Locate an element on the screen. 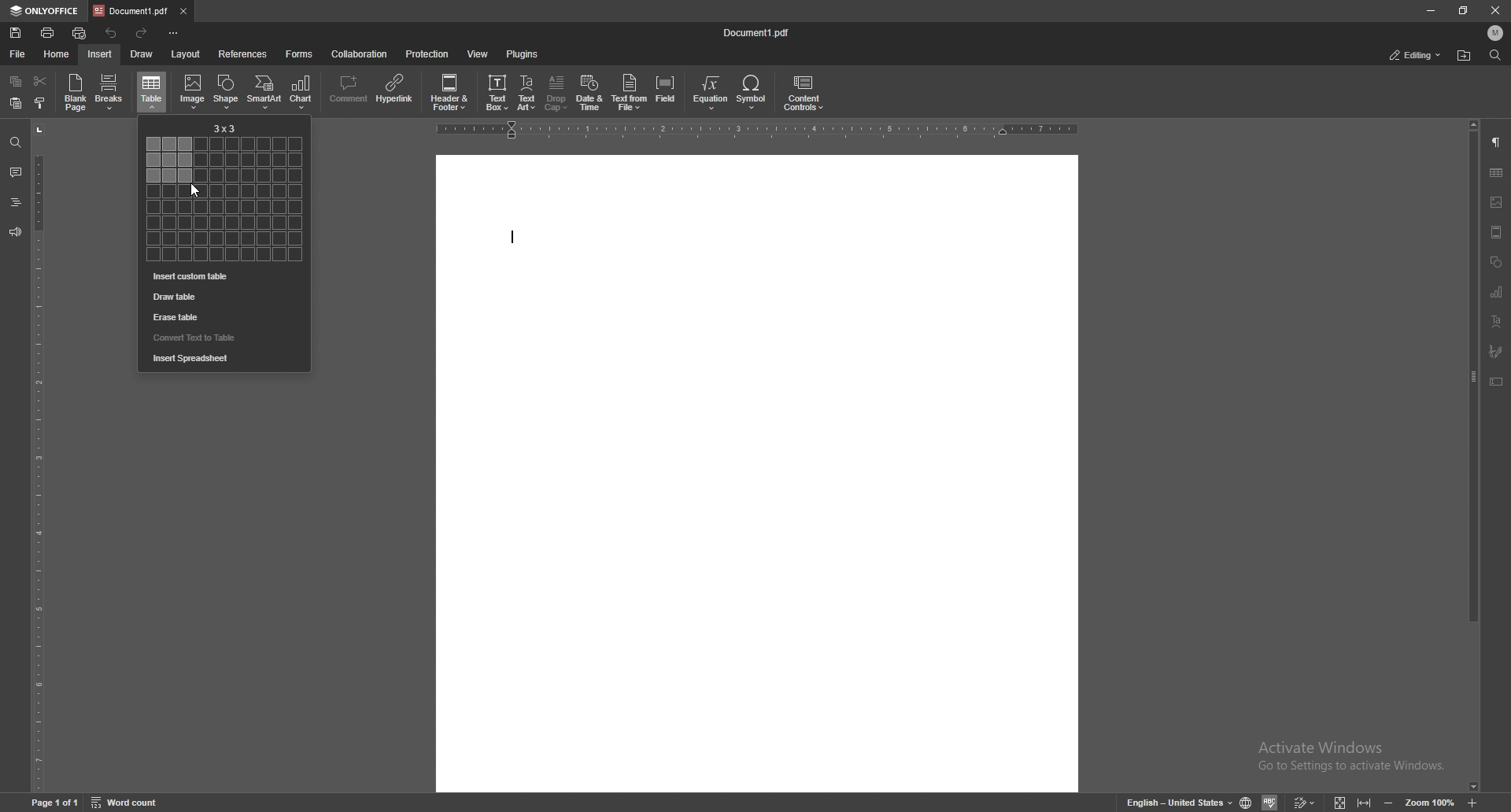 The width and height of the screenshot is (1511, 812). erase table is located at coordinates (220, 317).